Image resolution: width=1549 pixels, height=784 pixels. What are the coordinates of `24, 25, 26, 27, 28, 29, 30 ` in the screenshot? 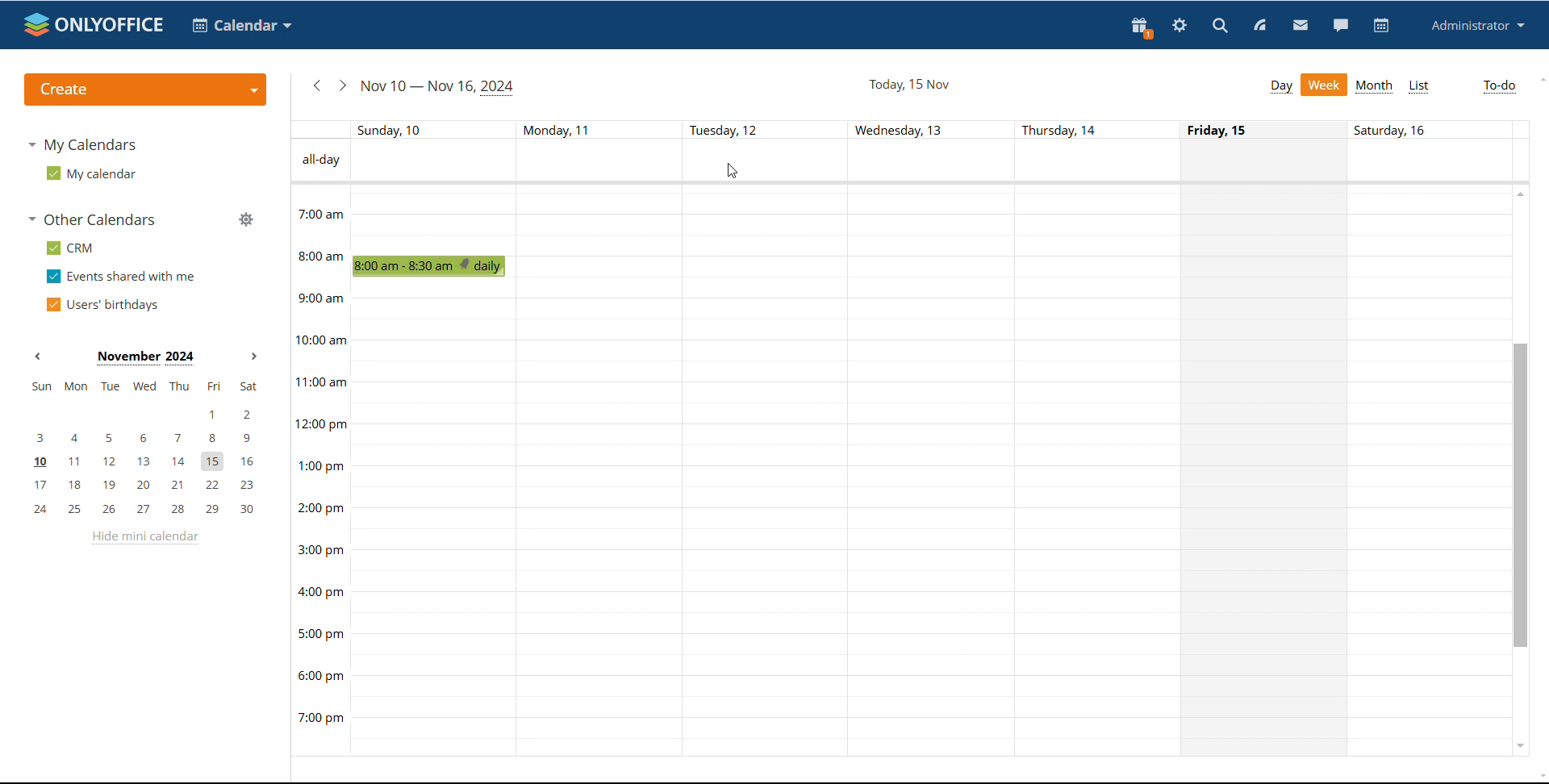 It's located at (150, 510).